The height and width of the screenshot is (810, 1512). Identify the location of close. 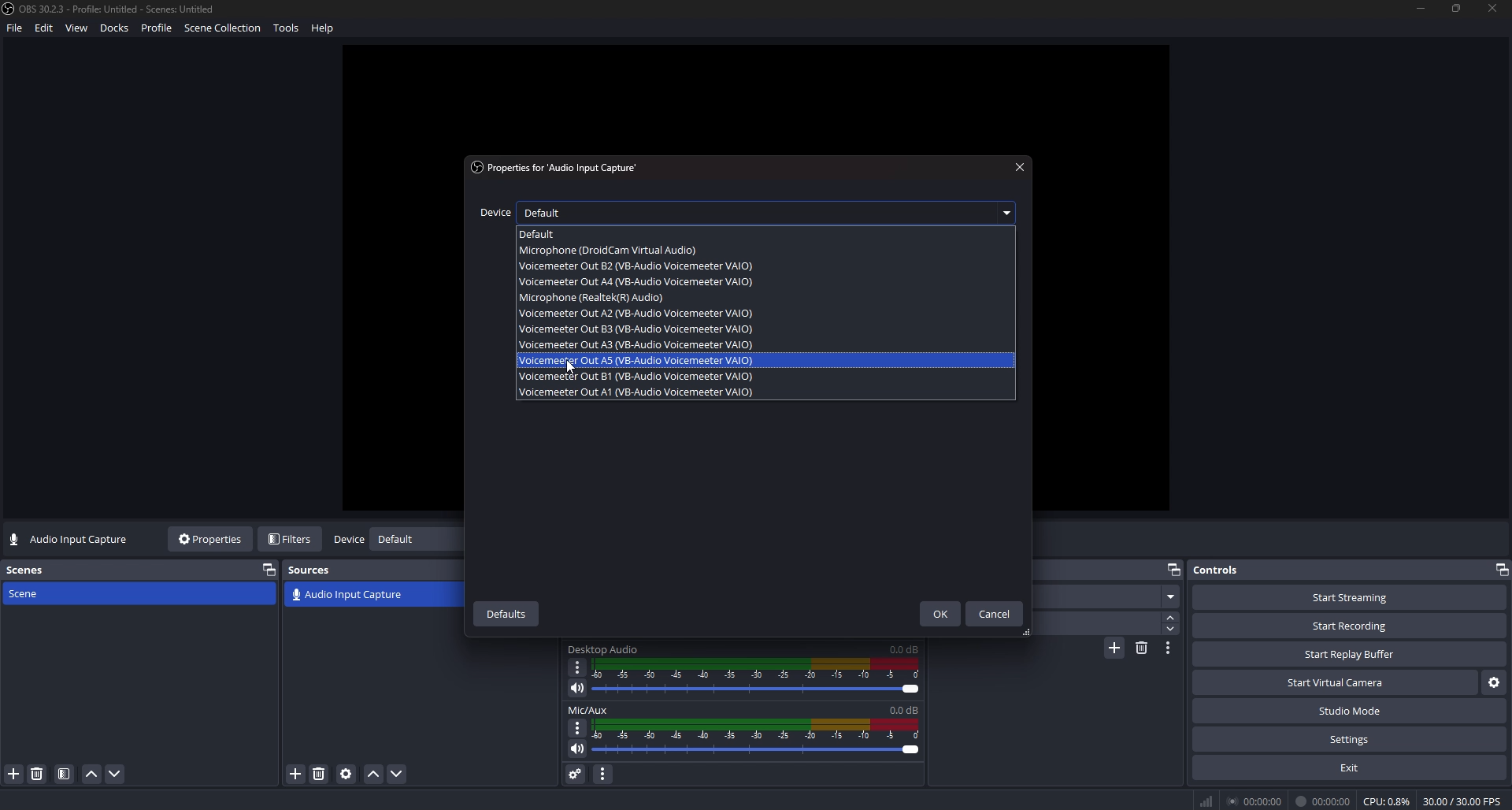
(1020, 167).